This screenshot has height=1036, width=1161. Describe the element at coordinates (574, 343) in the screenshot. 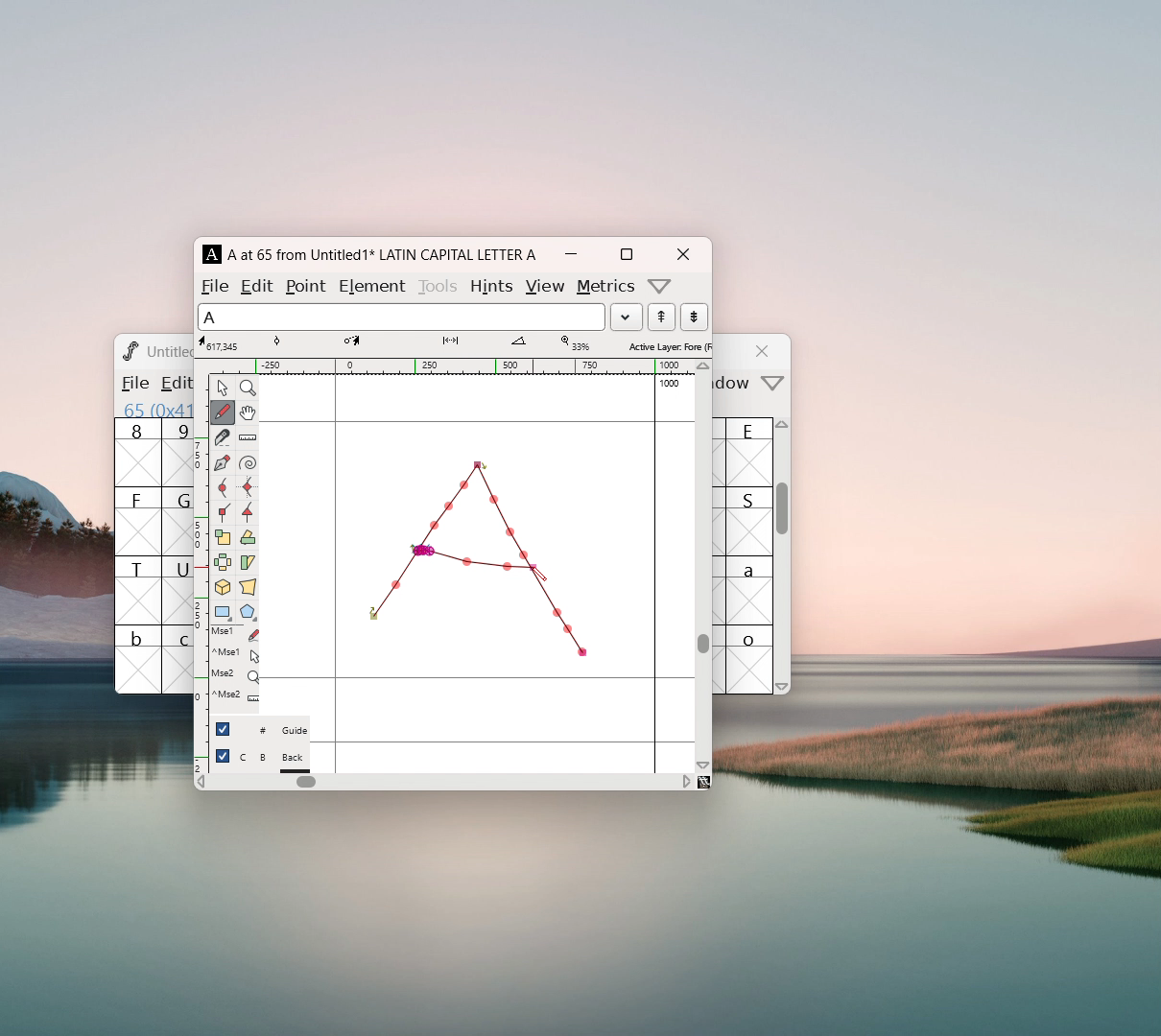

I see `level of maginification` at that location.